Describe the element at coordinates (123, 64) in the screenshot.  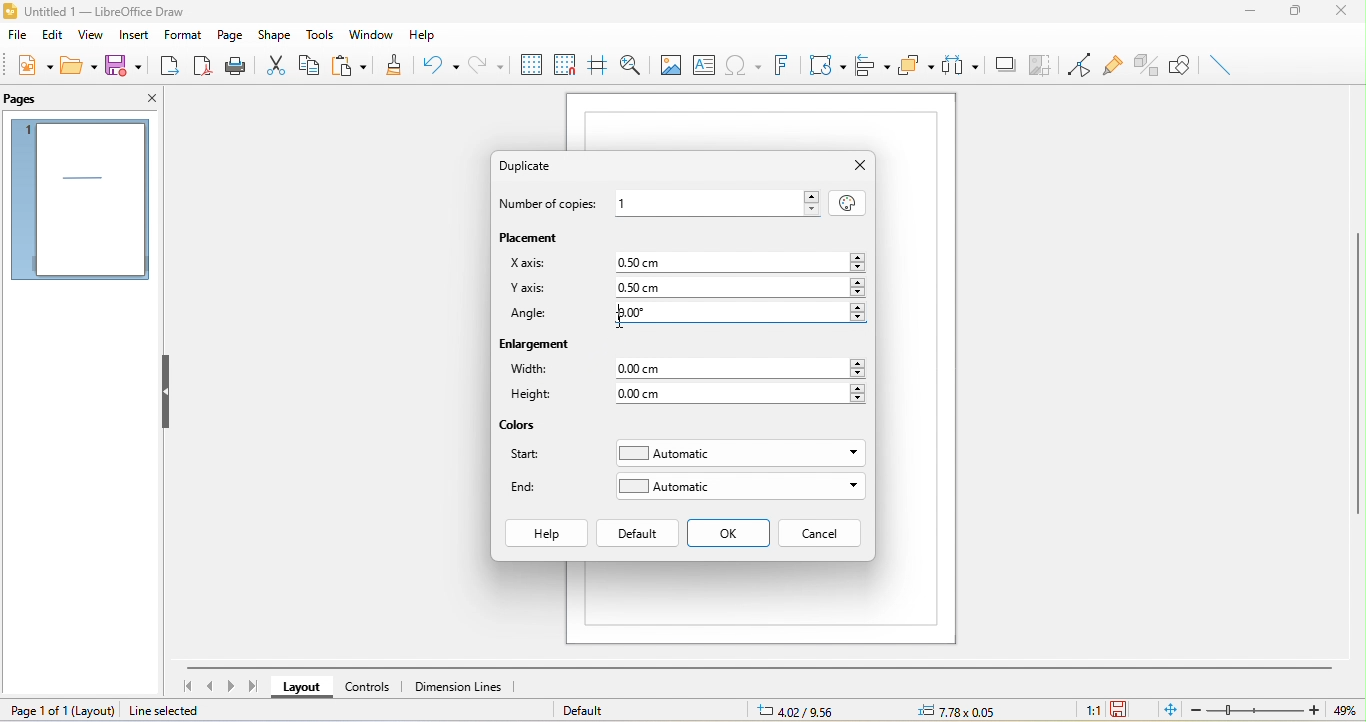
I see `save` at that location.